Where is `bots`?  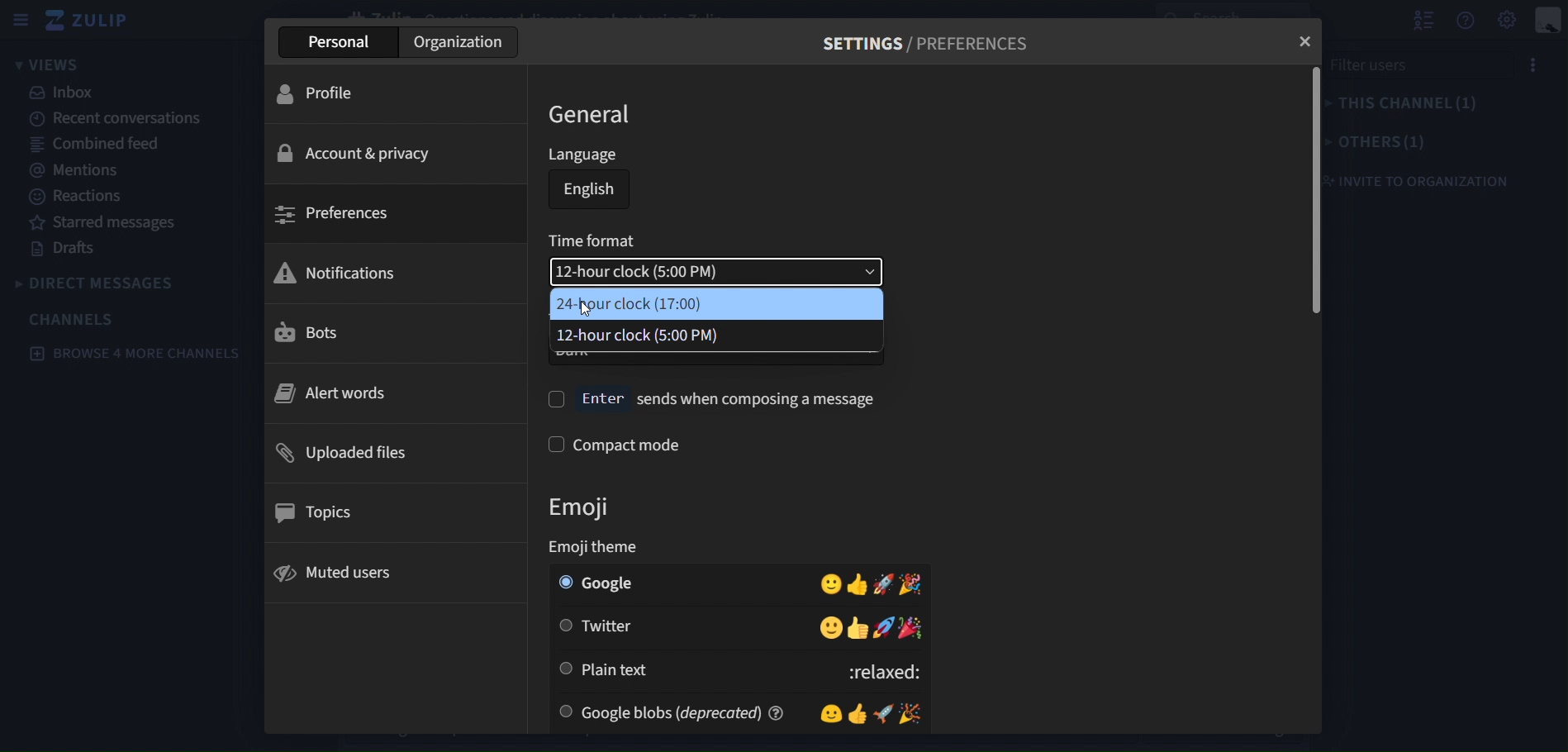
bots is located at coordinates (387, 331).